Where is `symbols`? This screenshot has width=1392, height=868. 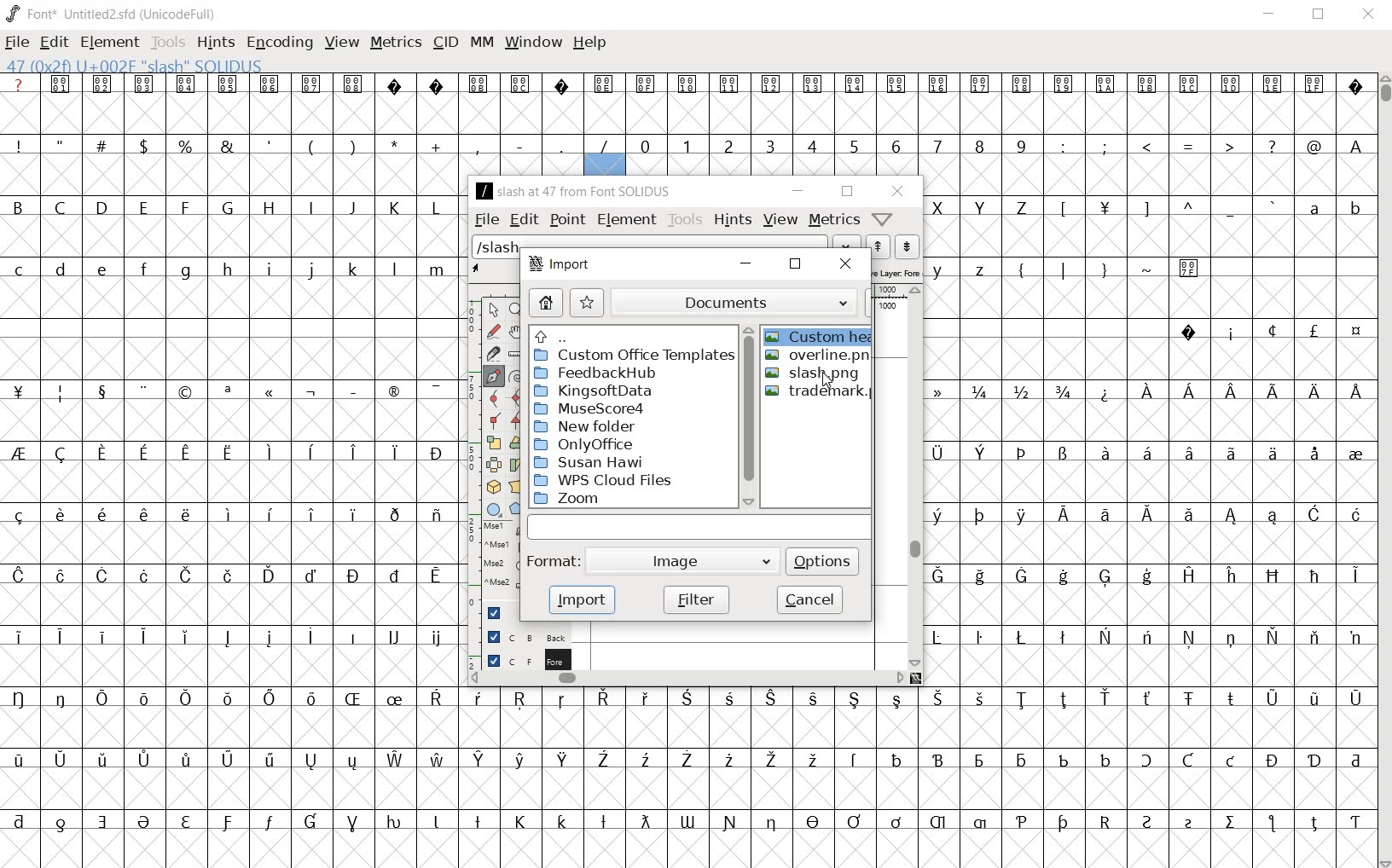 symbols is located at coordinates (1106, 267).